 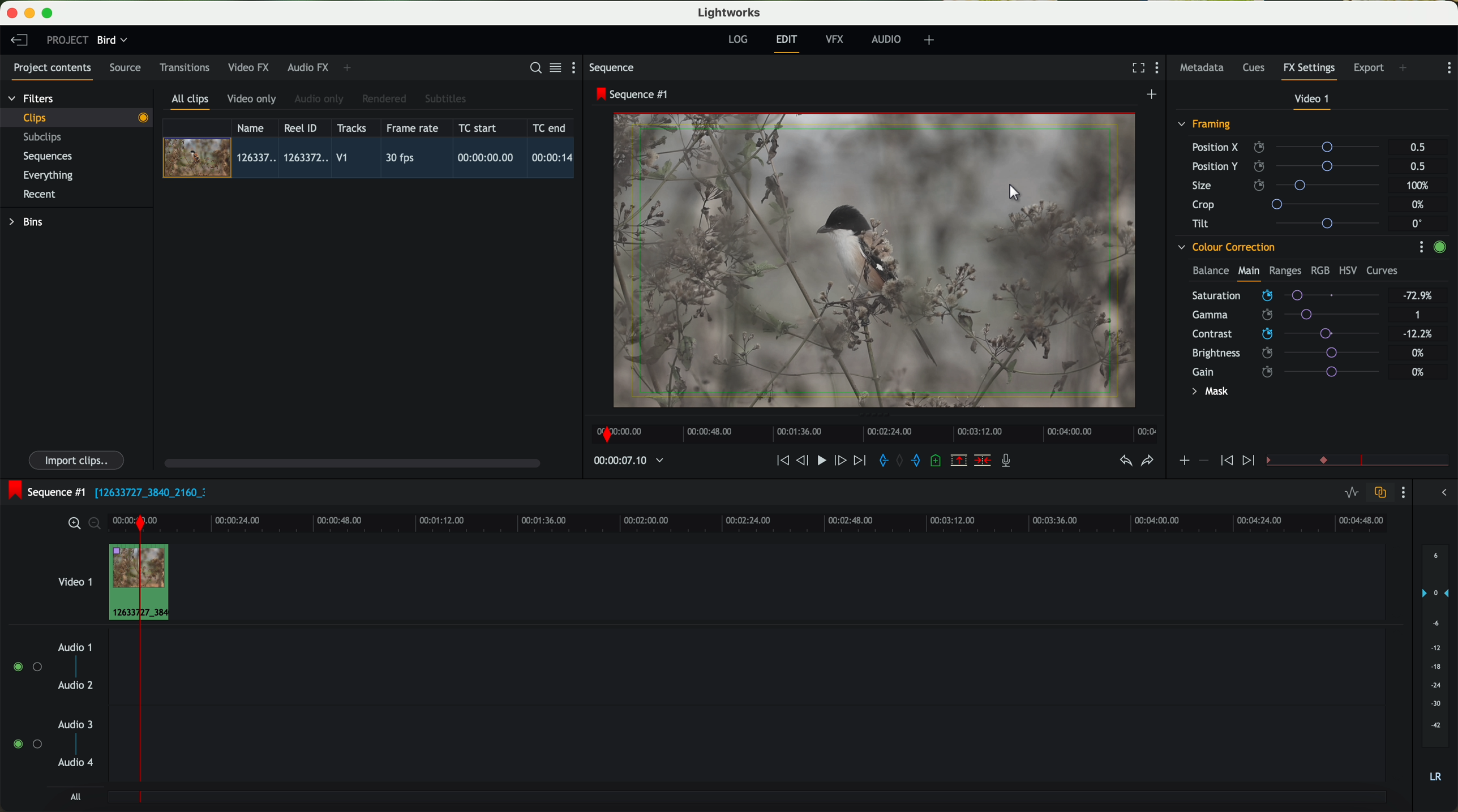 I want to click on main, so click(x=1249, y=273).